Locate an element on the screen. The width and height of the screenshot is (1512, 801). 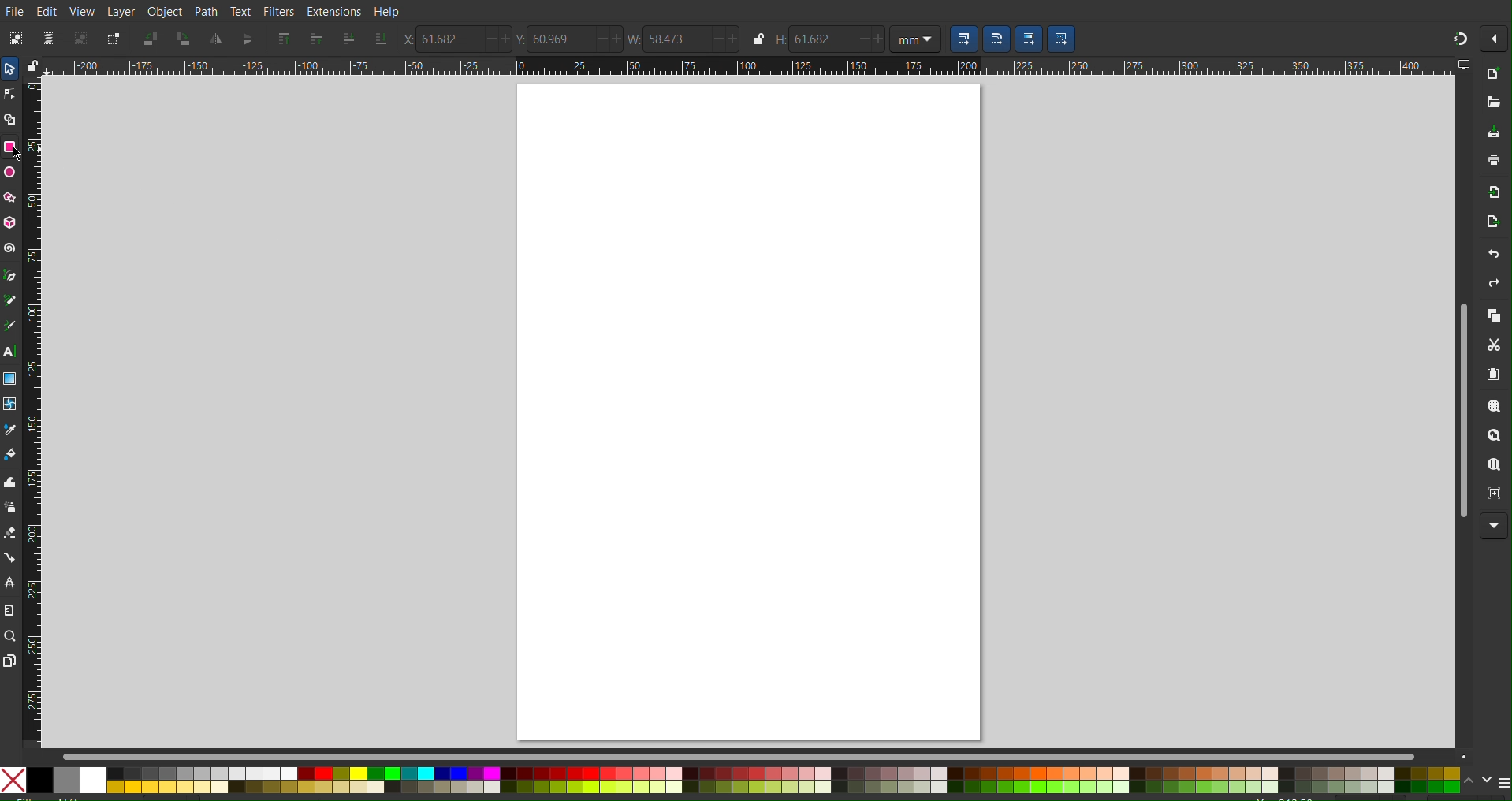
Line Color is located at coordinates (9, 430).